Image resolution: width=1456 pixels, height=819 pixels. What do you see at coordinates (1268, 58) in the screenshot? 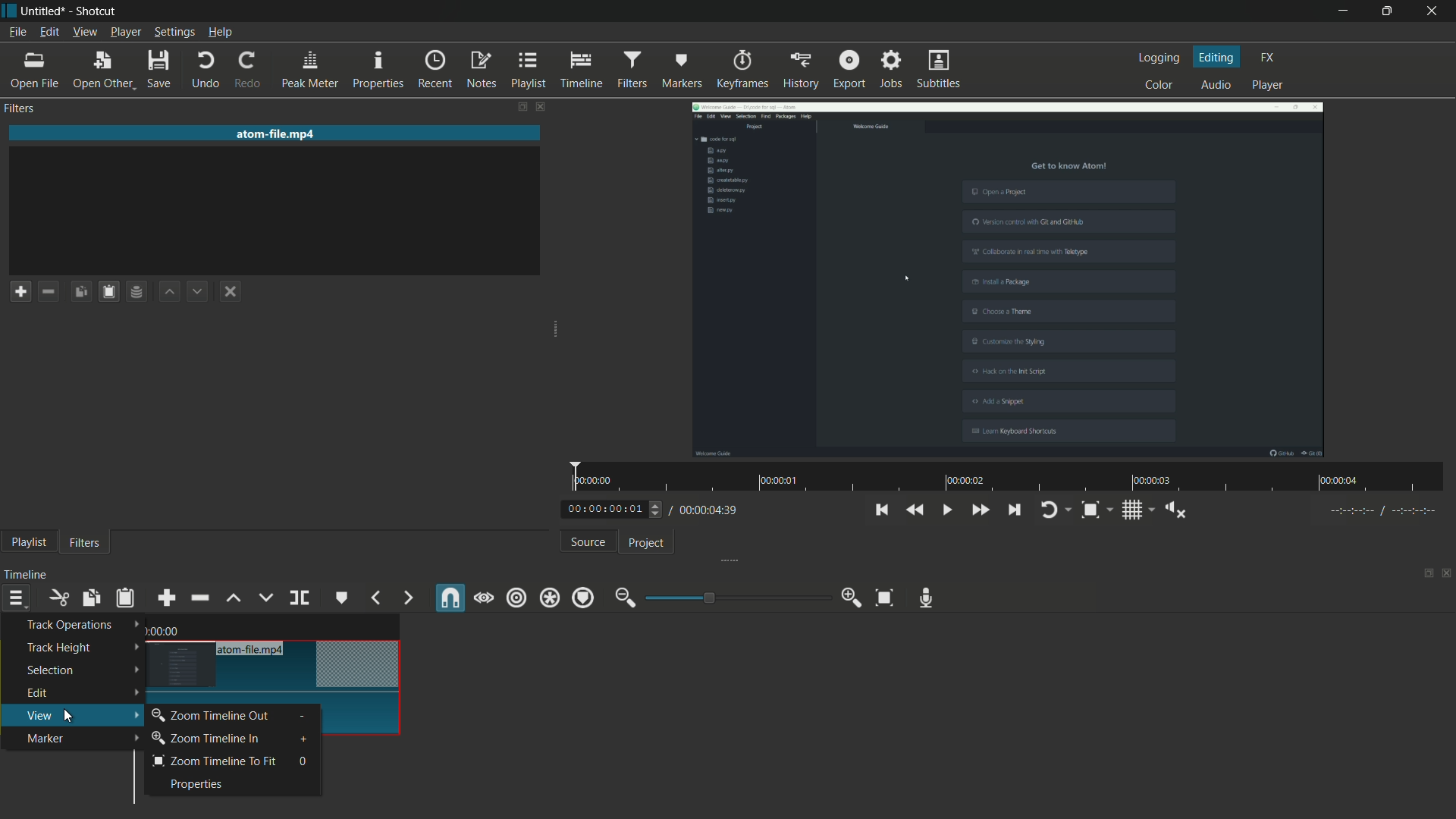
I see `fx` at bounding box center [1268, 58].